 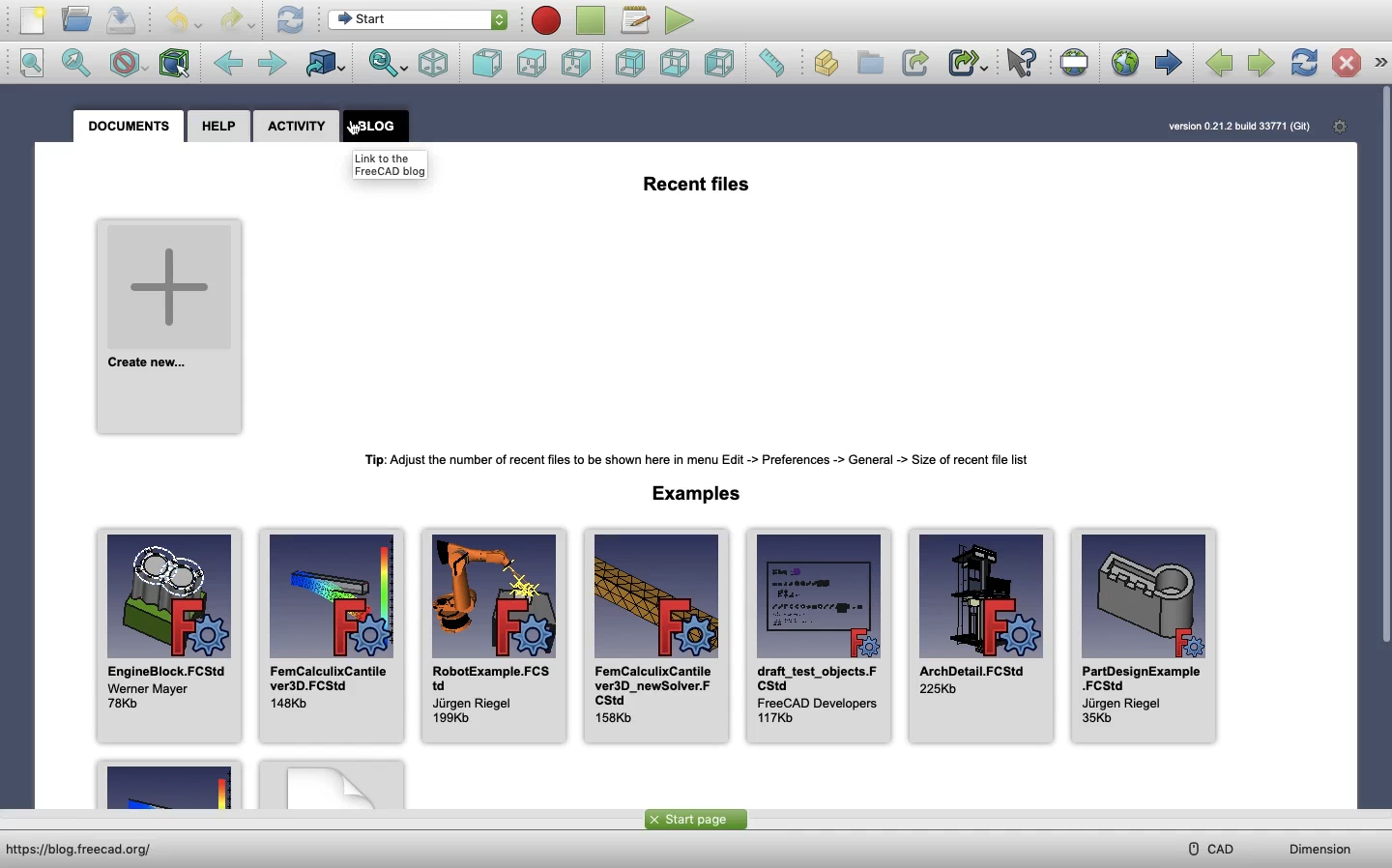 I want to click on Workbench Switcher, so click(x=326, y=64).